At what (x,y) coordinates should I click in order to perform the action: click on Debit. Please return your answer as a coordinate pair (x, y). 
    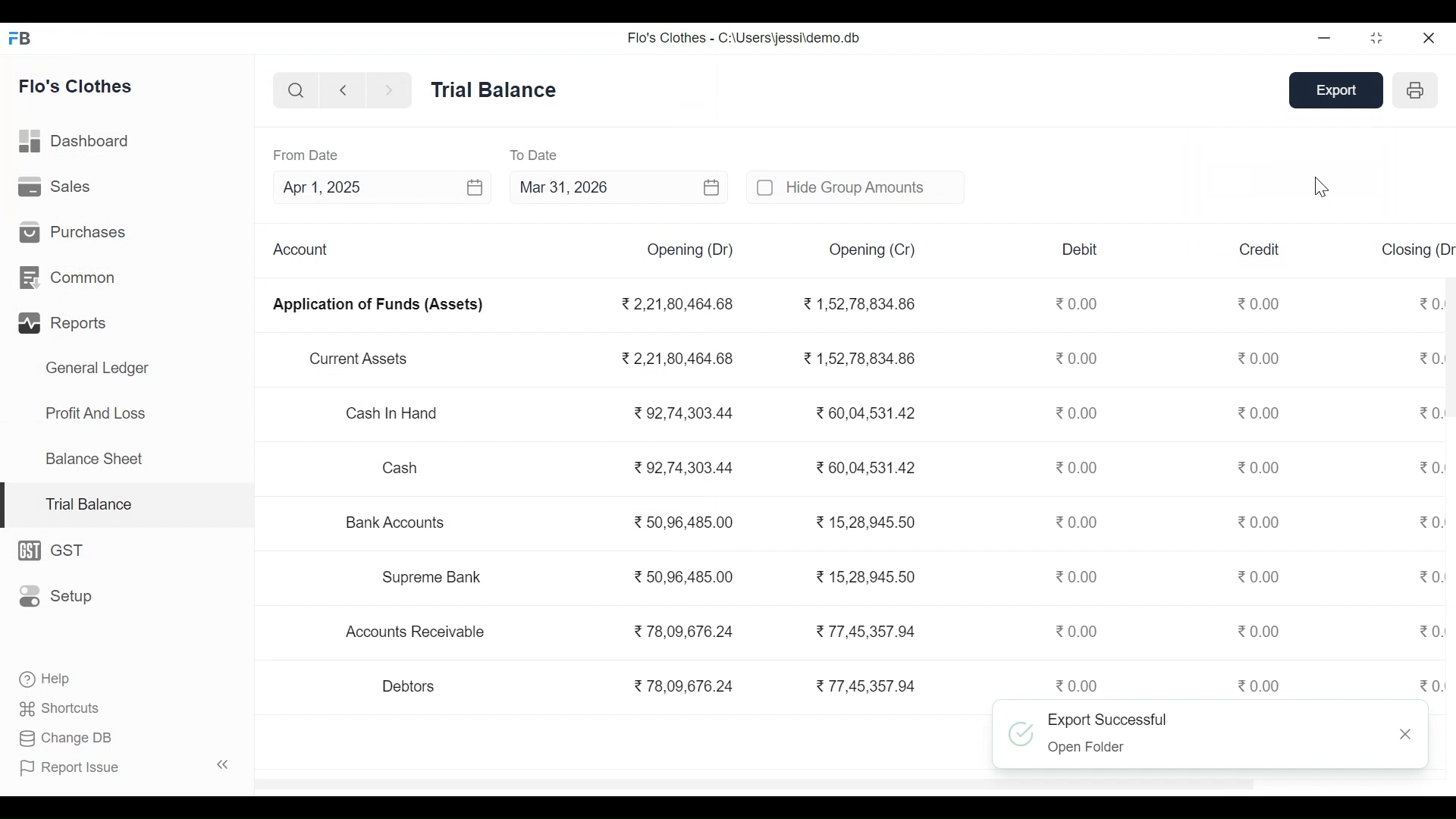
    Looking at the image, I should click on (1081, 249).